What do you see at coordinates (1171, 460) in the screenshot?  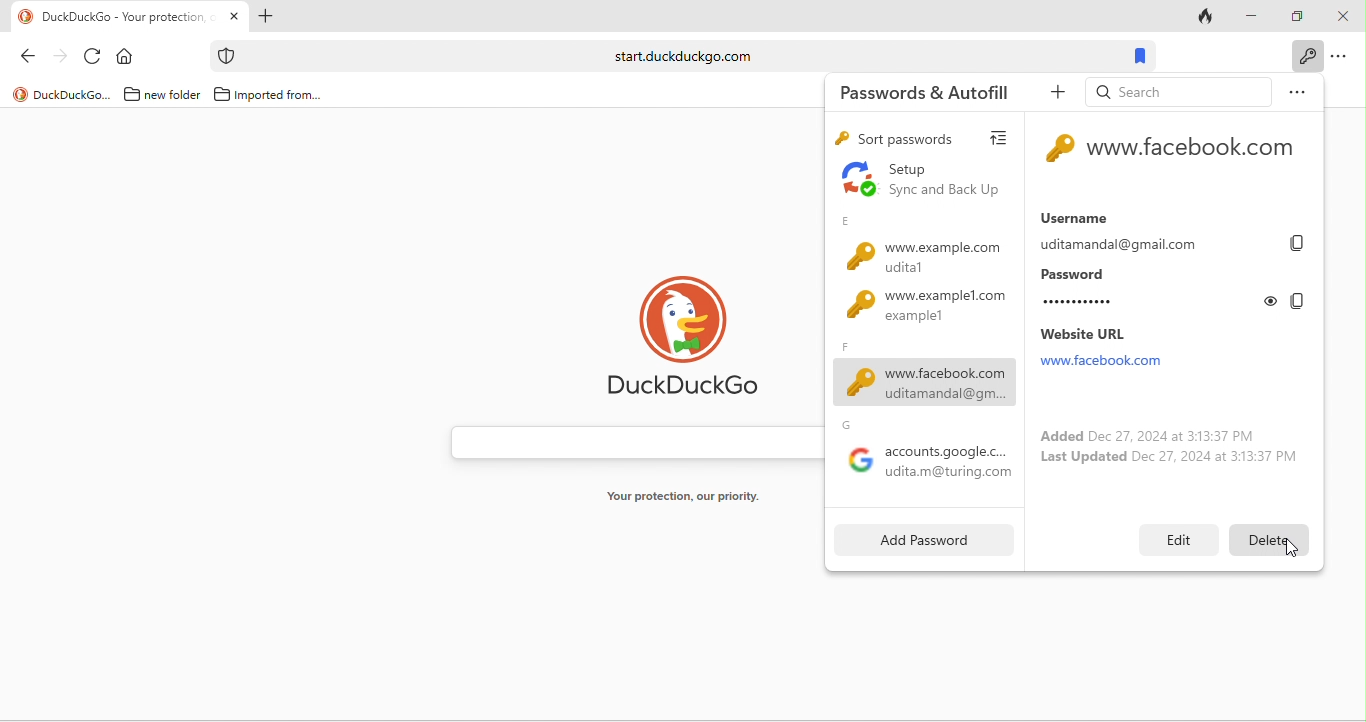 I see `last updated dec 27, 2024 at 3:13:37 PM` at bounding box center [1171, 460].